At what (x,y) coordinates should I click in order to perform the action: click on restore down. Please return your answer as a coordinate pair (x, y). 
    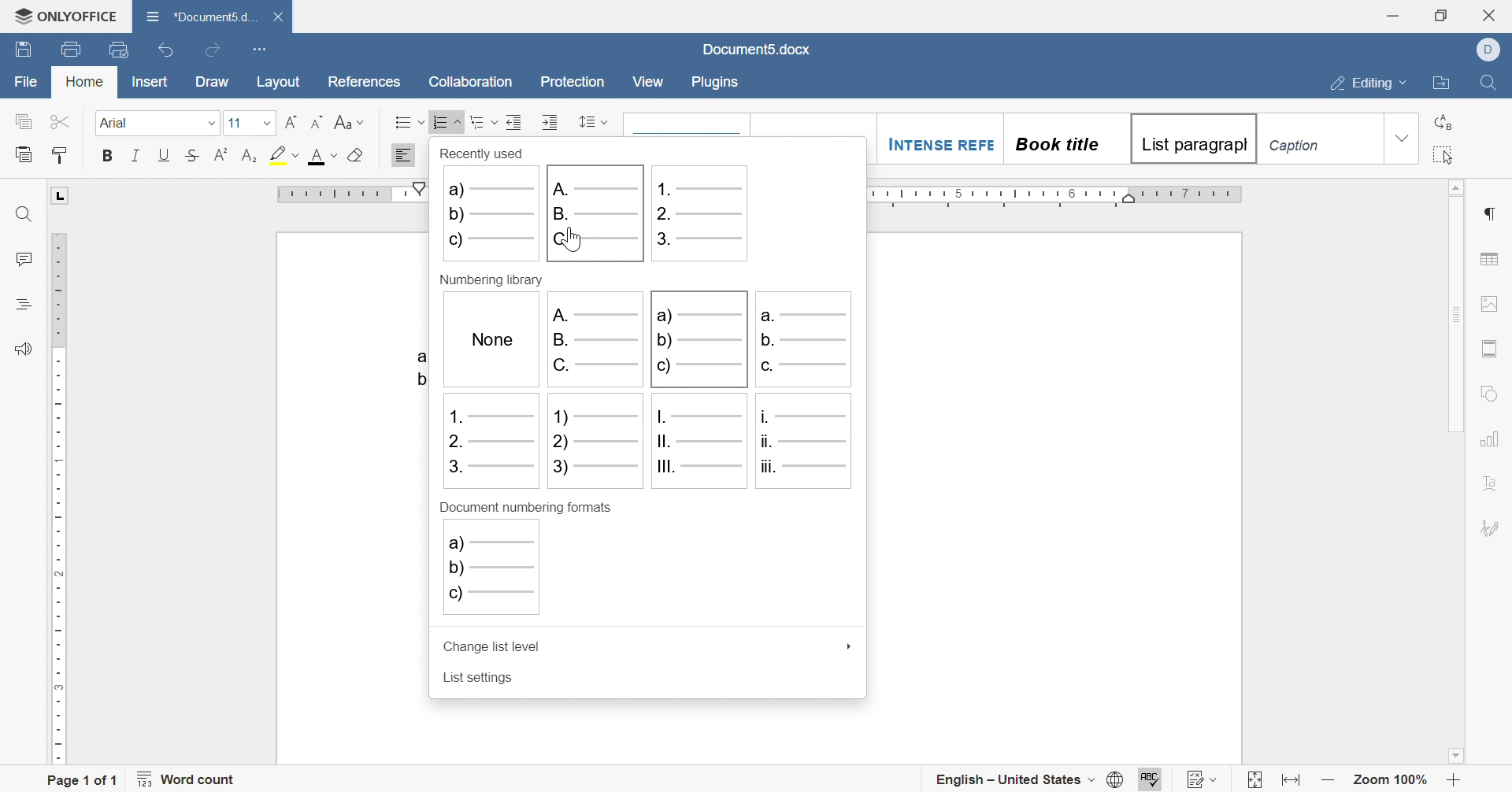
    Looking at the image, I should click on (1439, 14).